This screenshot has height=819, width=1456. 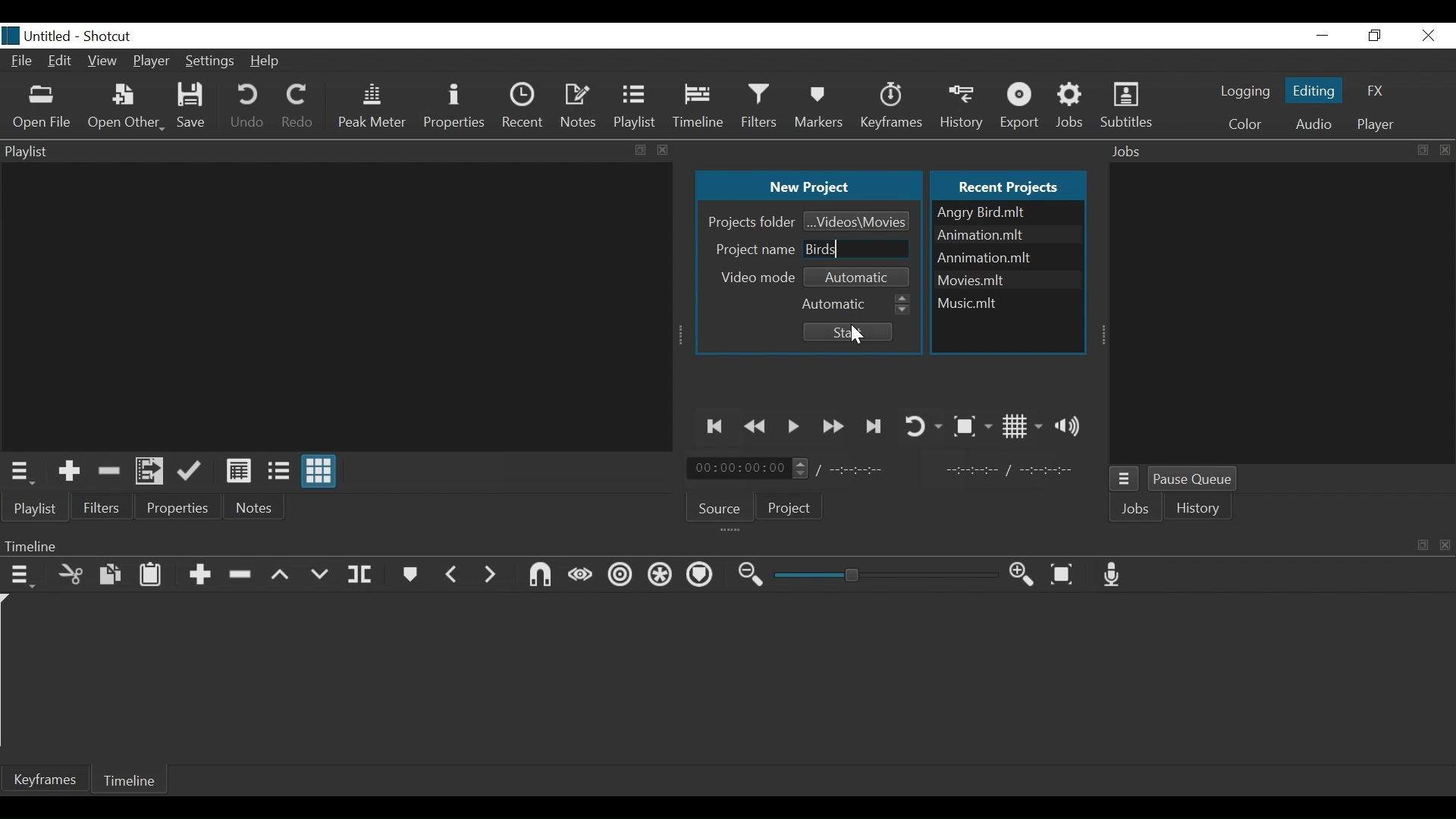 I want to click on Ripple delete, so click(x=243, y=575).